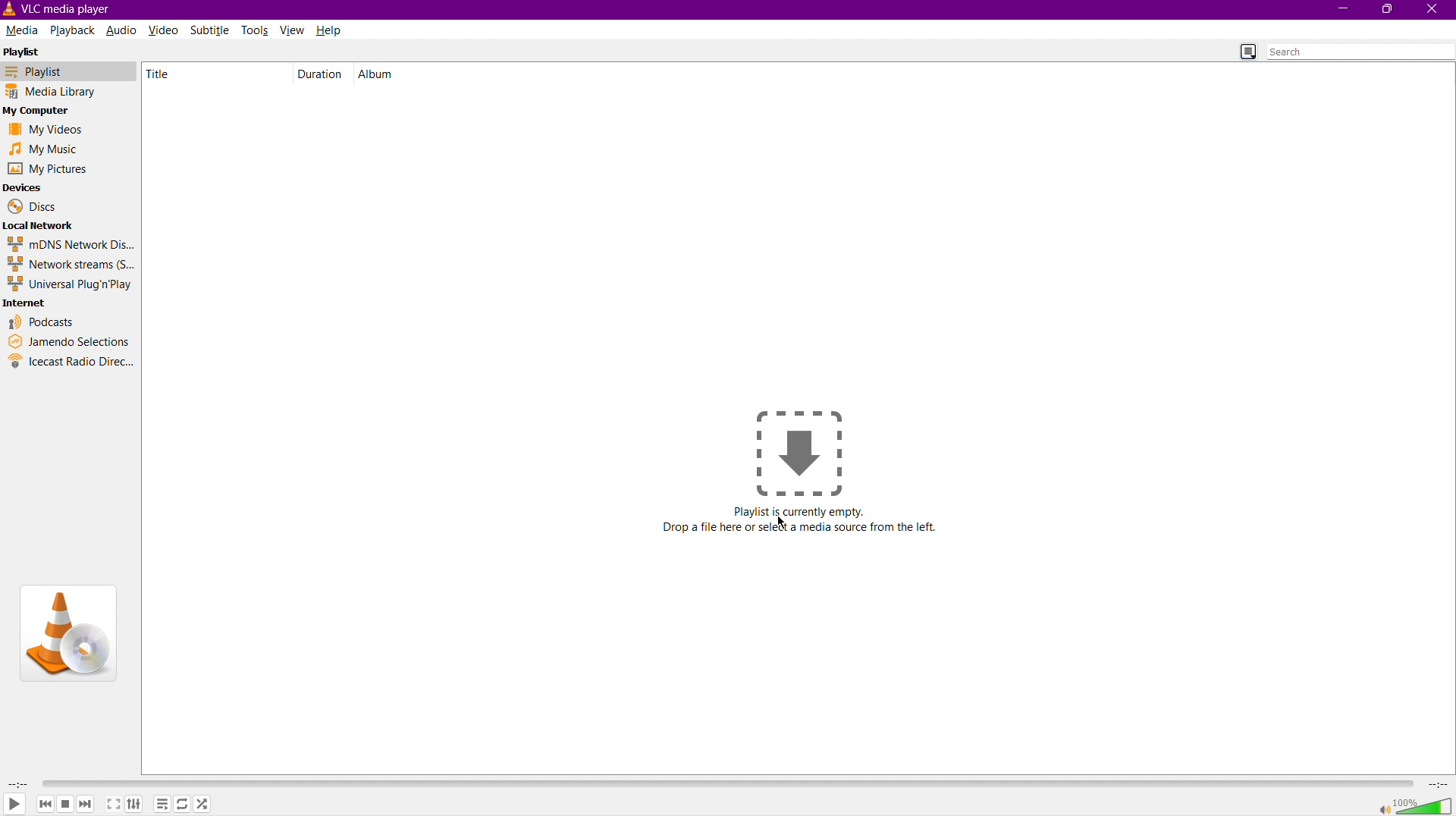  What do you see at coordinates (215, 30) in the screenshot?
I see `Subtitle` at bounding box center [215, 30].